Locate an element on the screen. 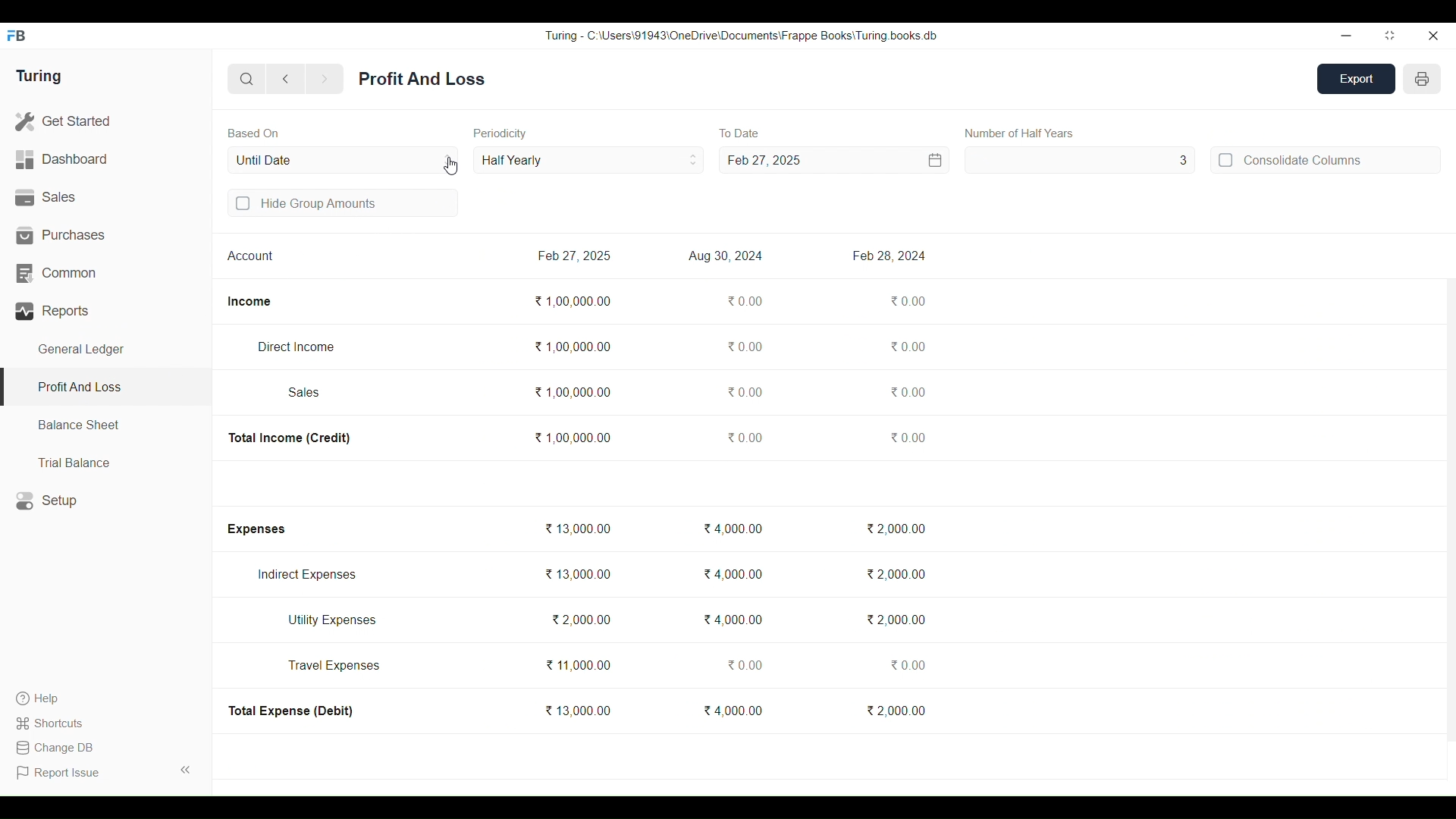  Help is located at coordinates (52, 698).